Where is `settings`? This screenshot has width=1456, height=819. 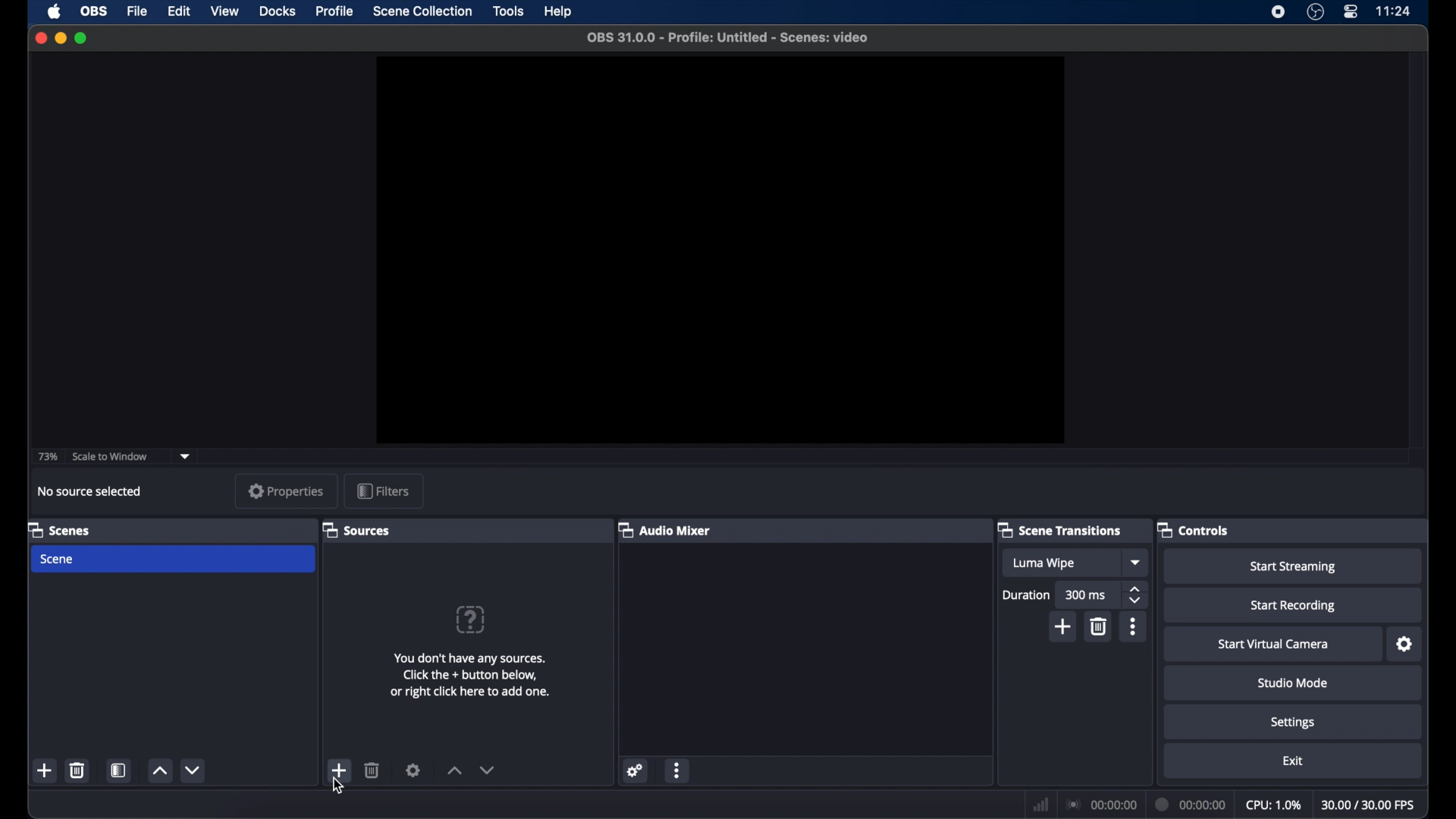 settings is located at coordinates (1405, 645).